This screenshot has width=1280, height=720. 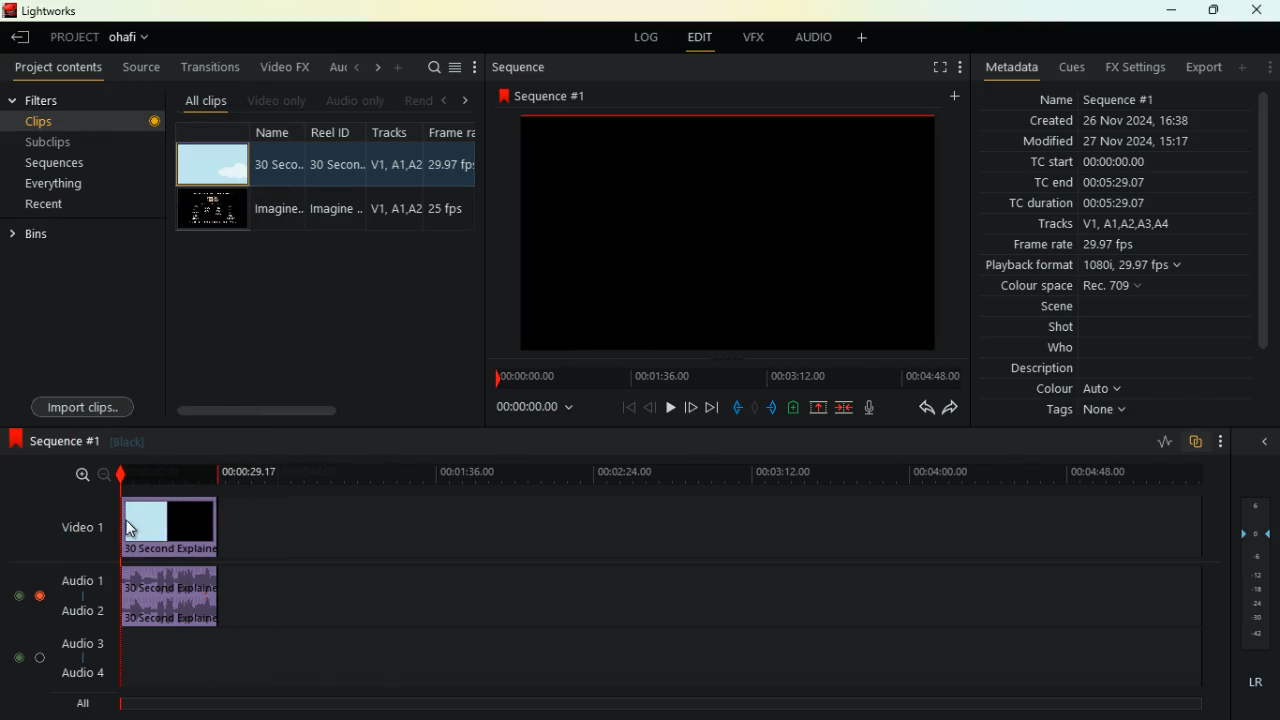 What do you see at coordinates (1093, 184) in the screenshot?
I see `tc end` at bounding box center [1093, 184].